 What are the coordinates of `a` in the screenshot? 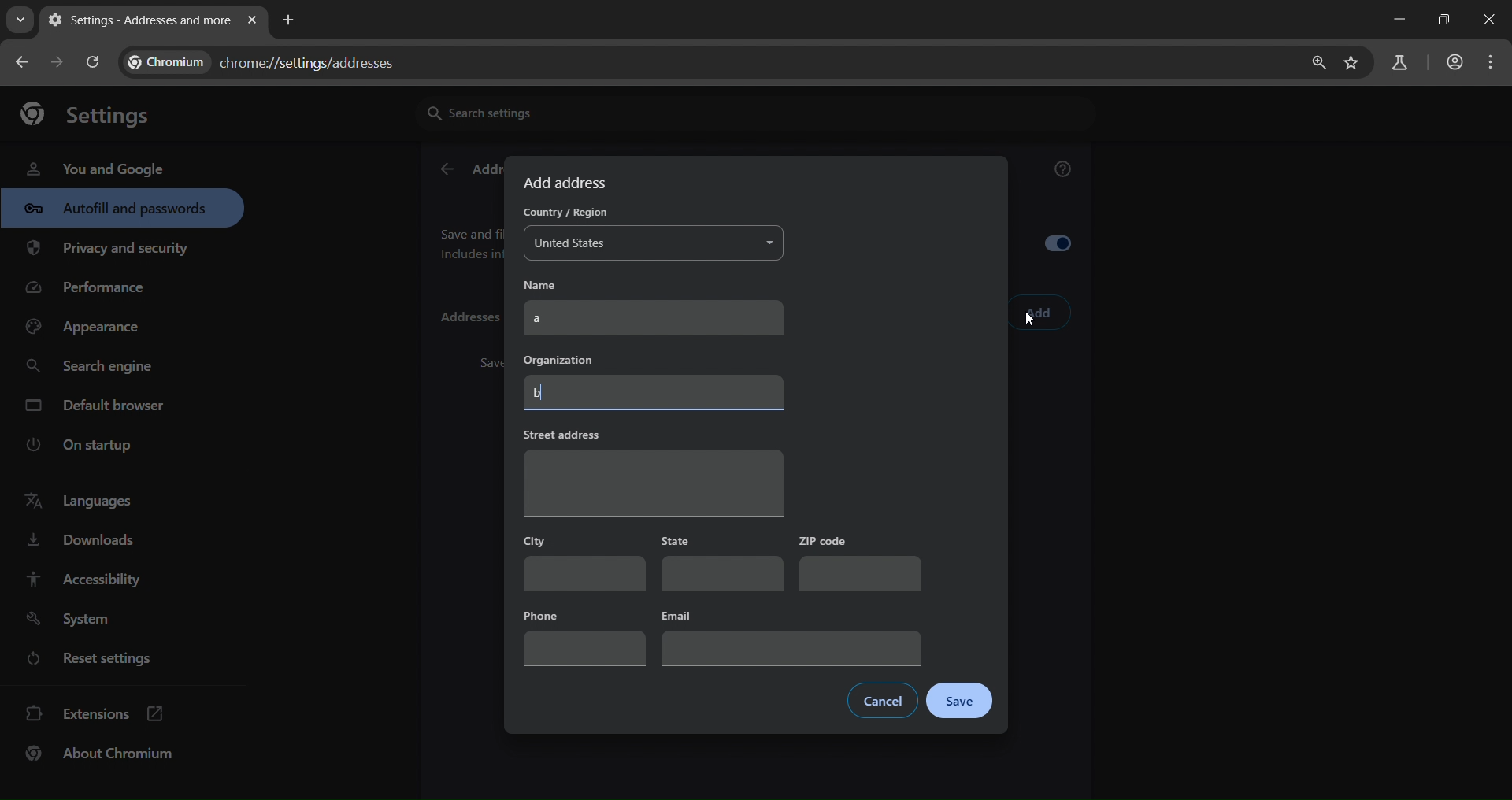 It's located at (656, 317).